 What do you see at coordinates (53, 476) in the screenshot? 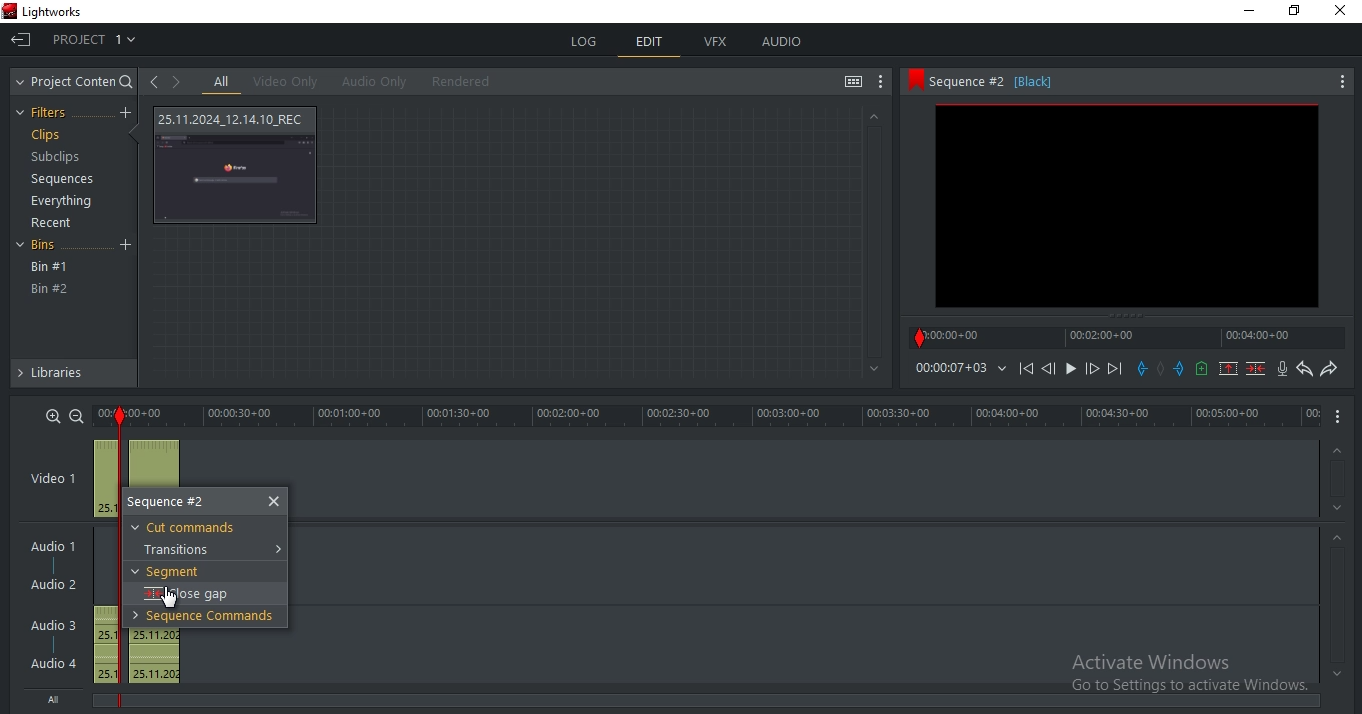
I see `video 1` at bounding box center [53, 476].